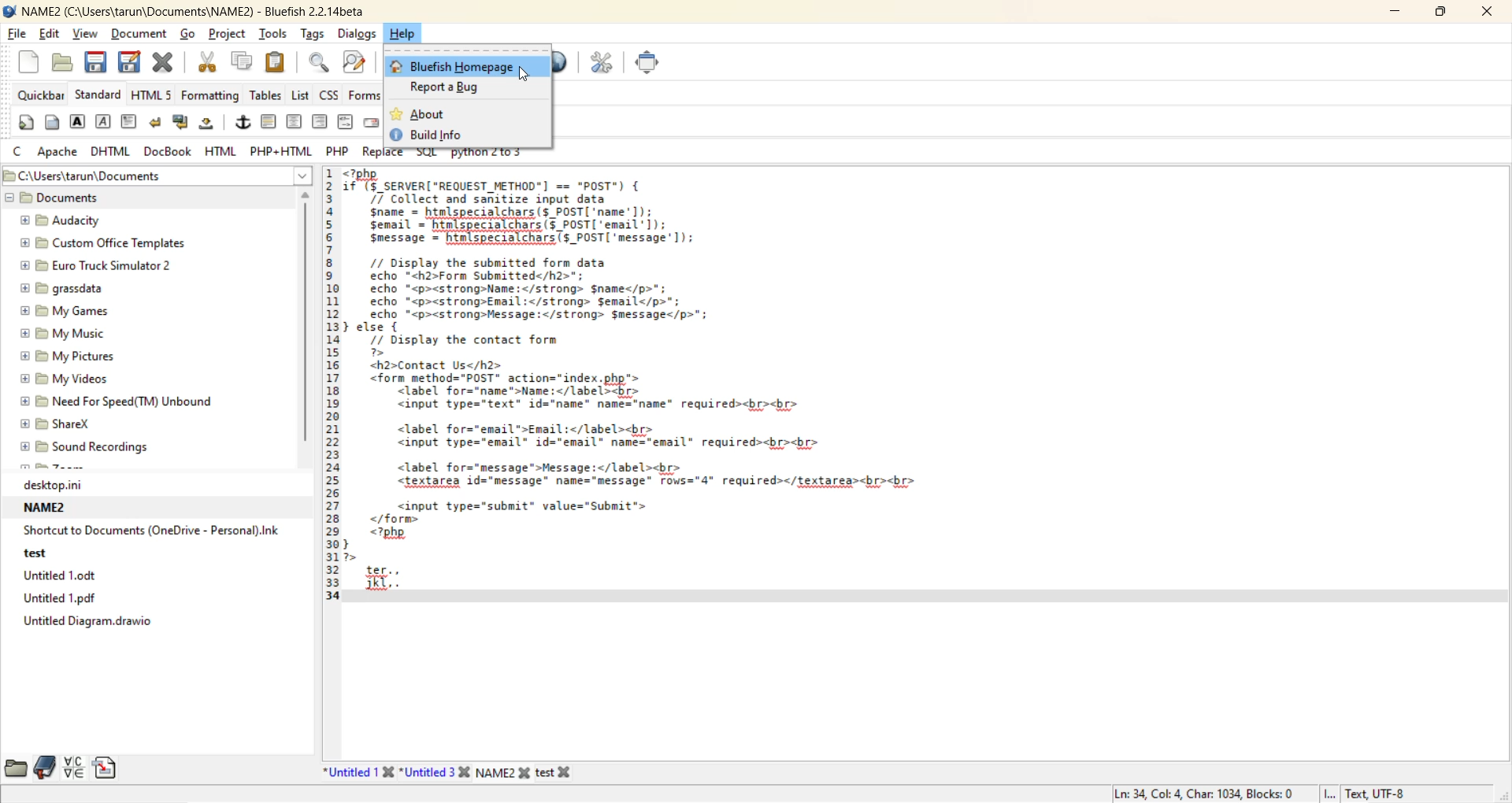  I want to click on go, so click(191, 33).